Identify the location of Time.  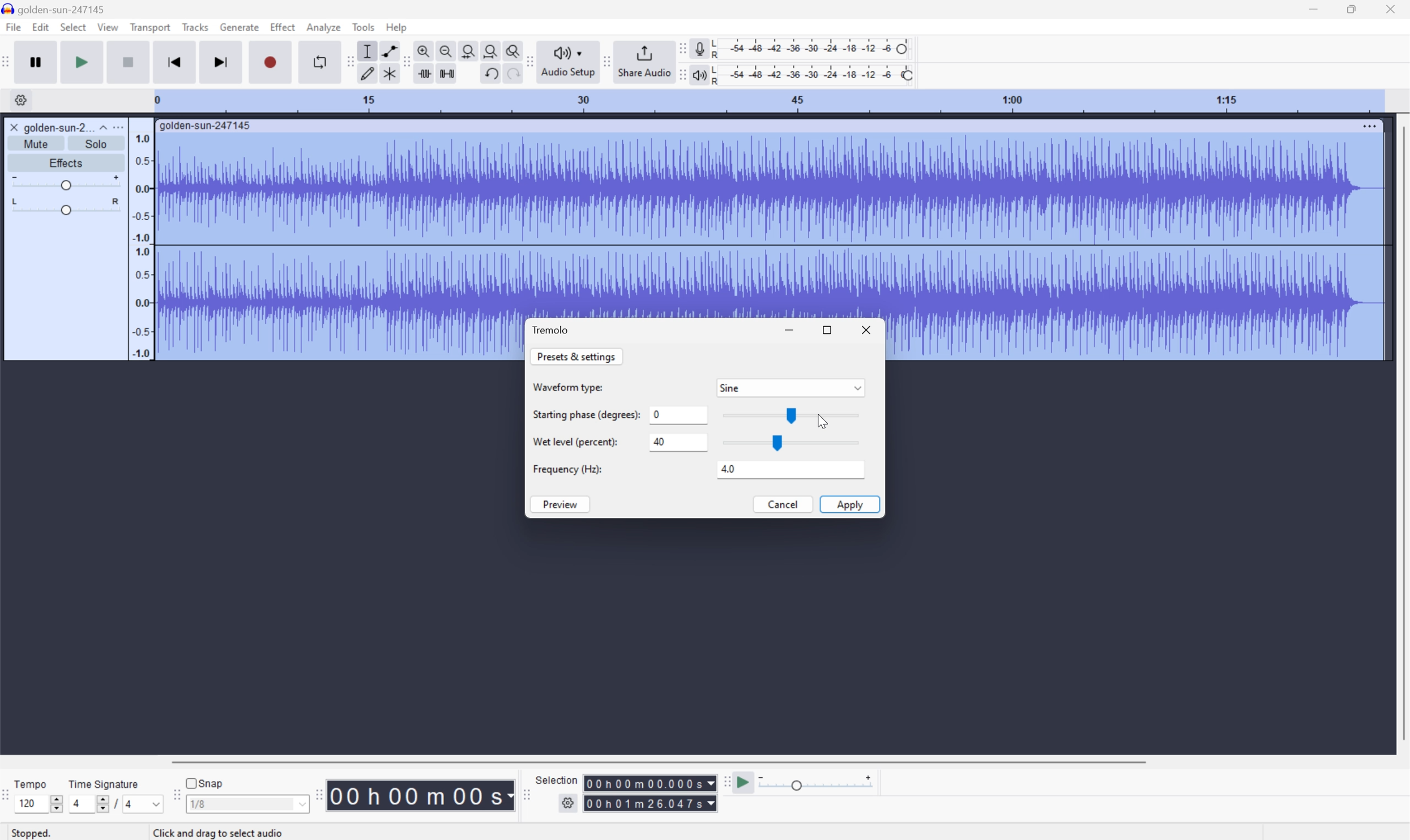
(421, 794).